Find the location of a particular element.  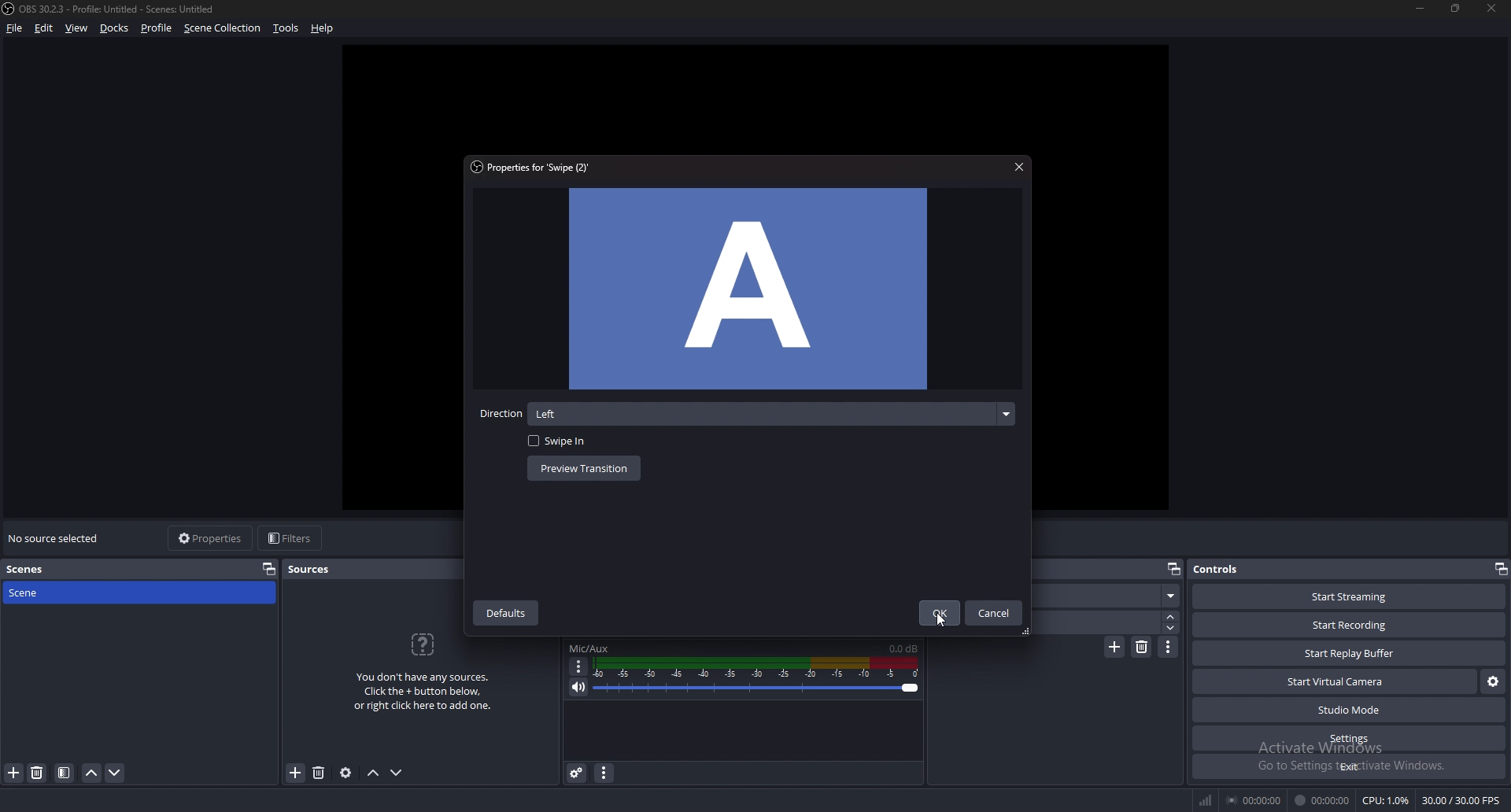

no source selected is located at coordinates (57, 537).